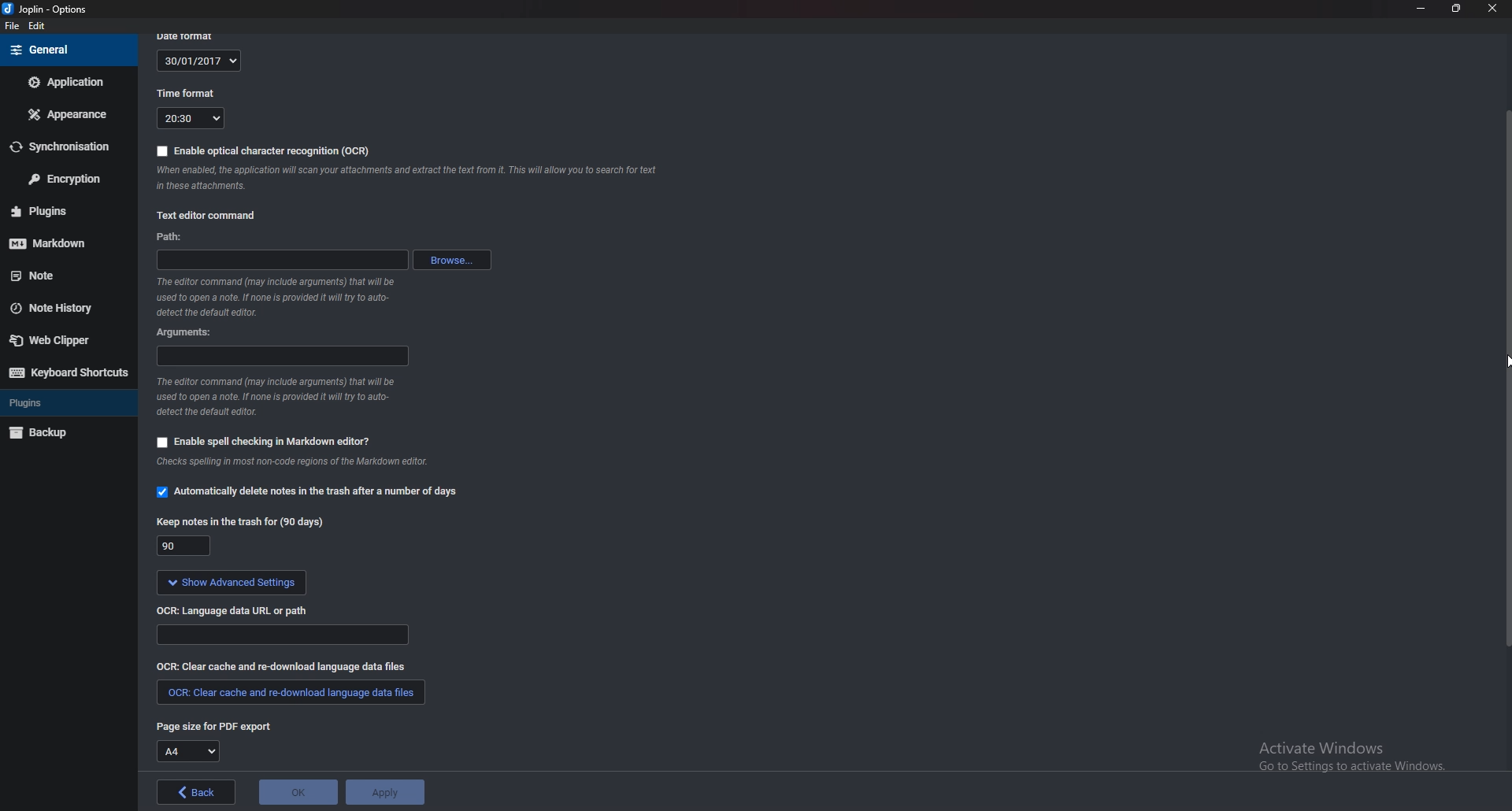 The height and width of the screenshot is (811, 1512). Describe the element at coordinates (198, 61) in the screenshot. I see `30/01/2017` at that location.